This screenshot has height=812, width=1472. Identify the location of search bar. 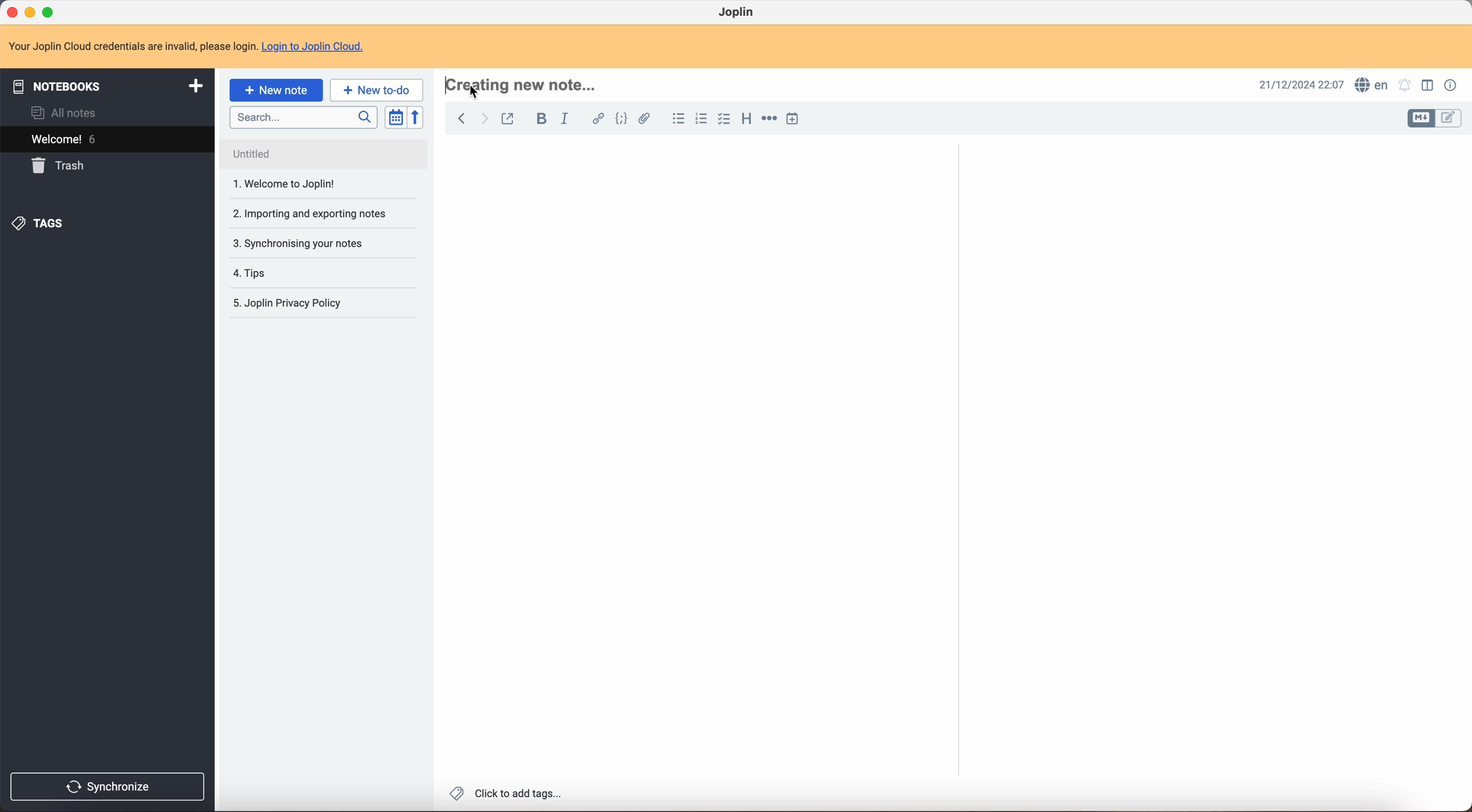
(305, 118).